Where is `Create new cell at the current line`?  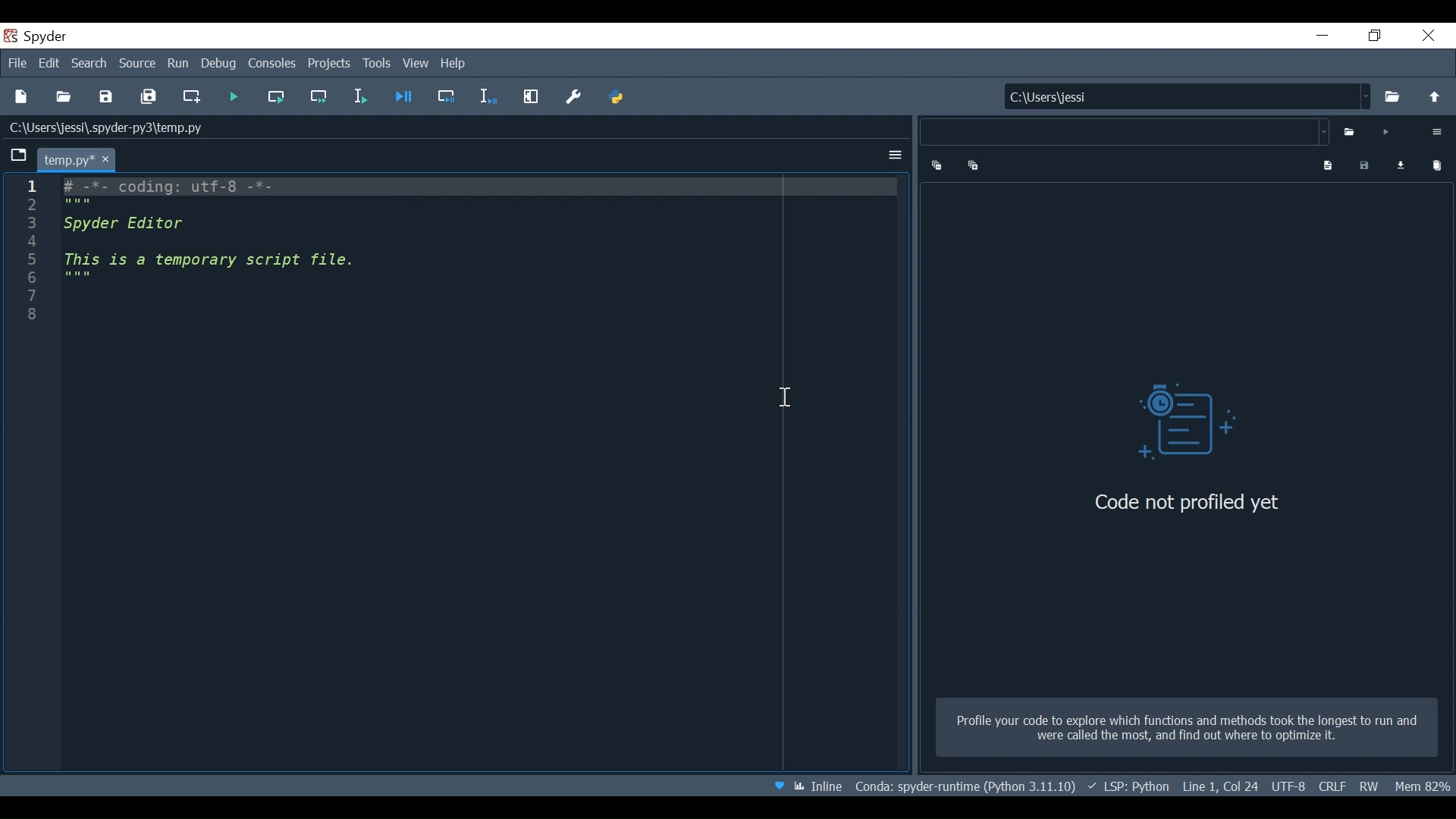
Create new cell at the current line is located at coordinates (193, 99).